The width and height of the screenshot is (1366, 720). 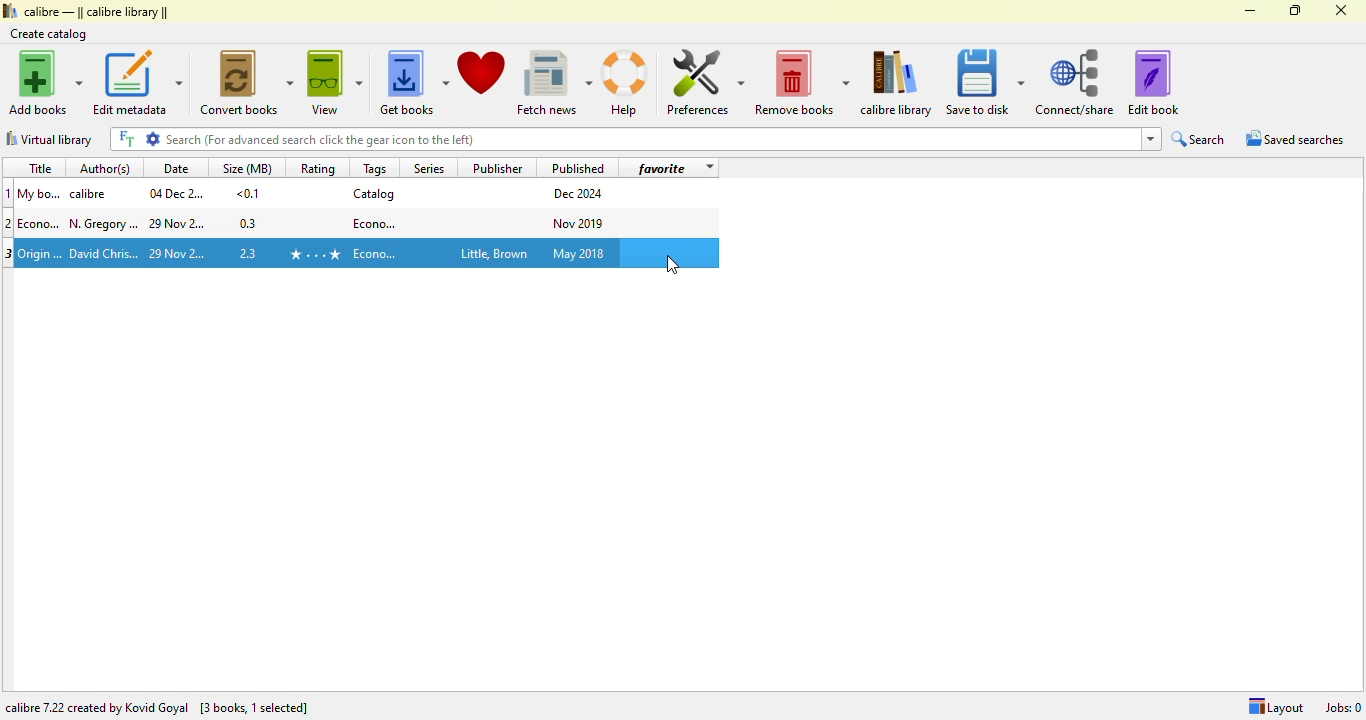 What do you see at coordinates (49, 34) in the screenshot?
I see `create catalog` at bounding box center [49, 34].